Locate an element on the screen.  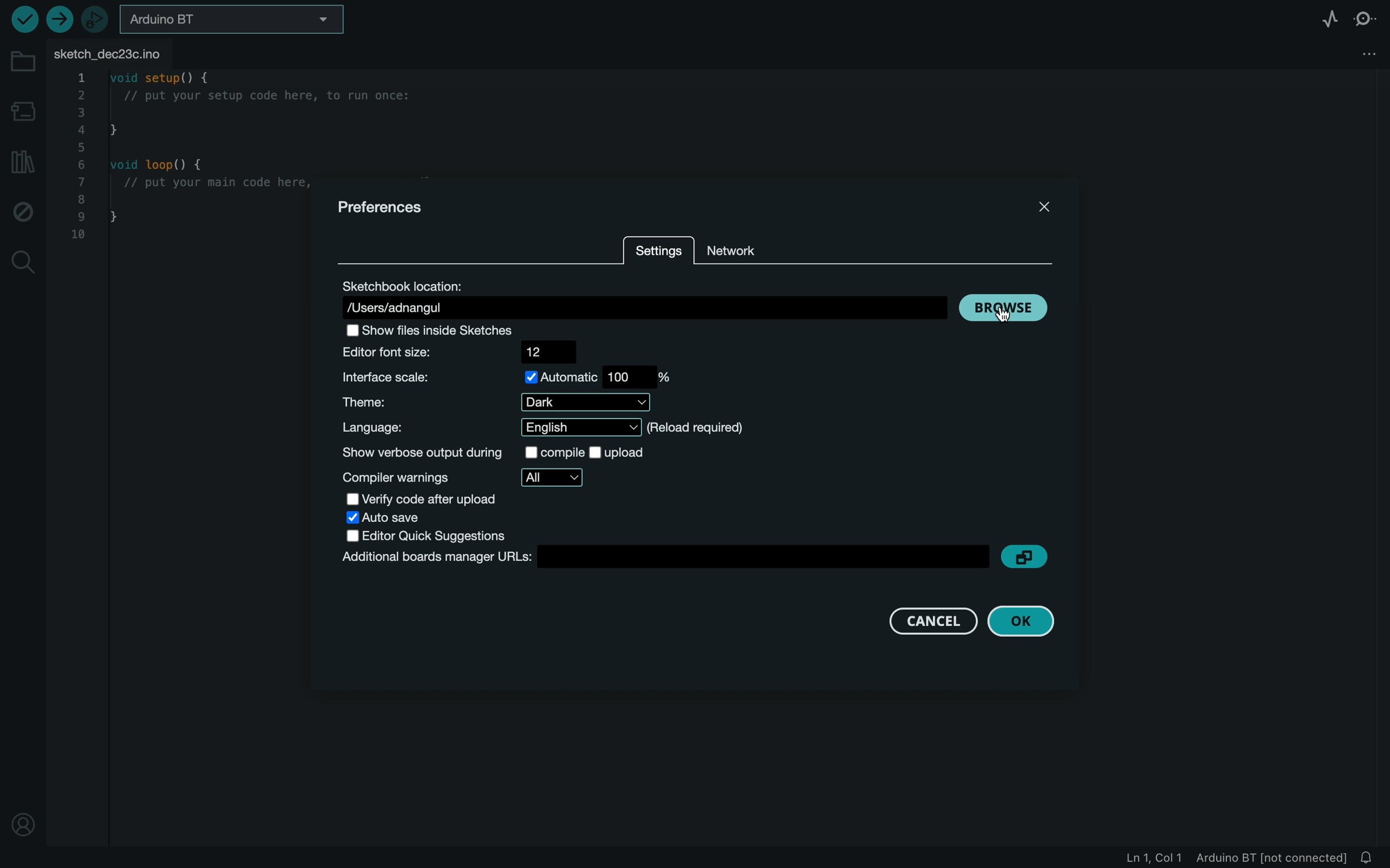
auto save is located at coordinates (437, 517).